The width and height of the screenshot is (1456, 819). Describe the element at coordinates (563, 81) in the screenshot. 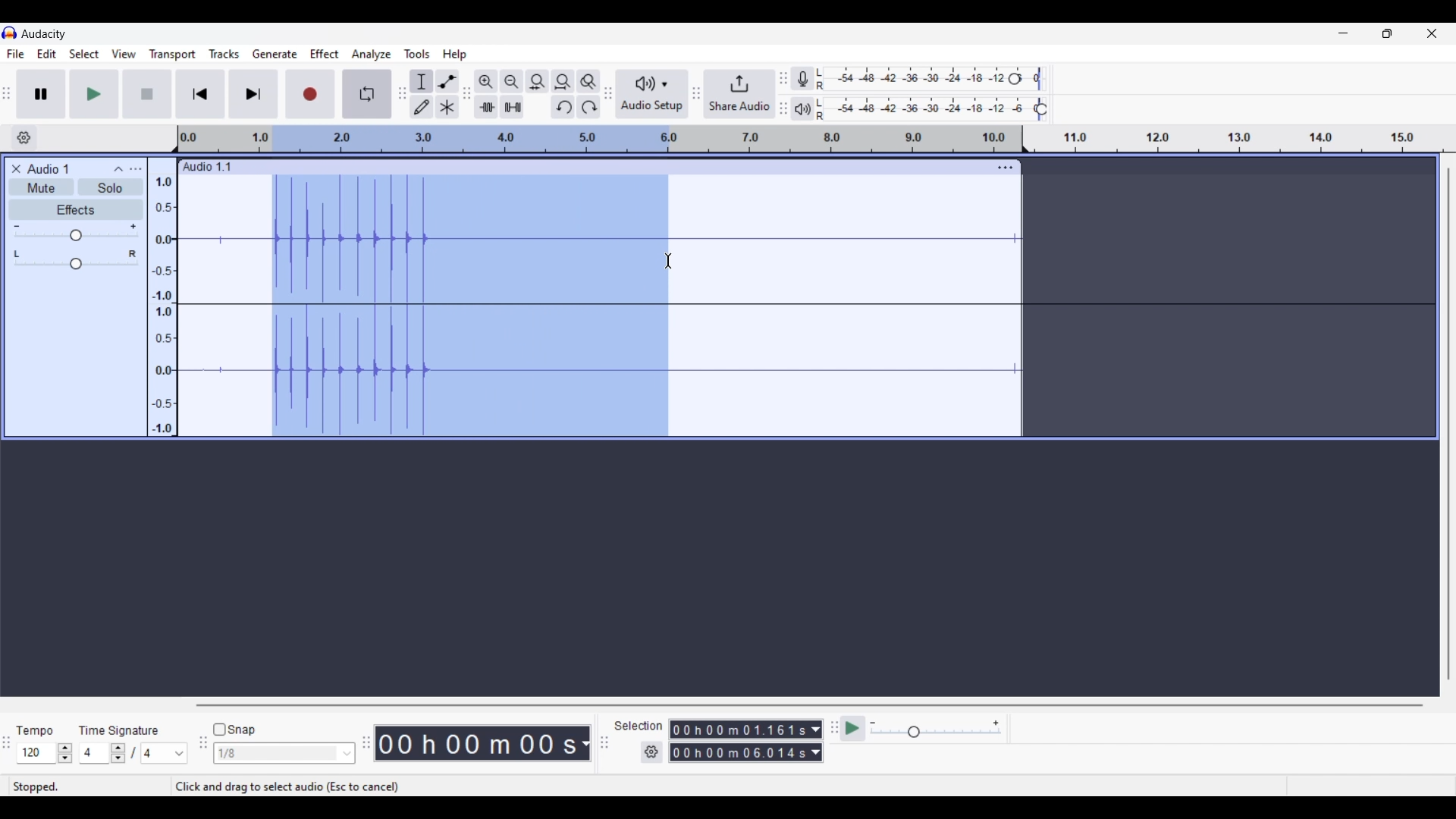

I see `Fit project to width` at that location.